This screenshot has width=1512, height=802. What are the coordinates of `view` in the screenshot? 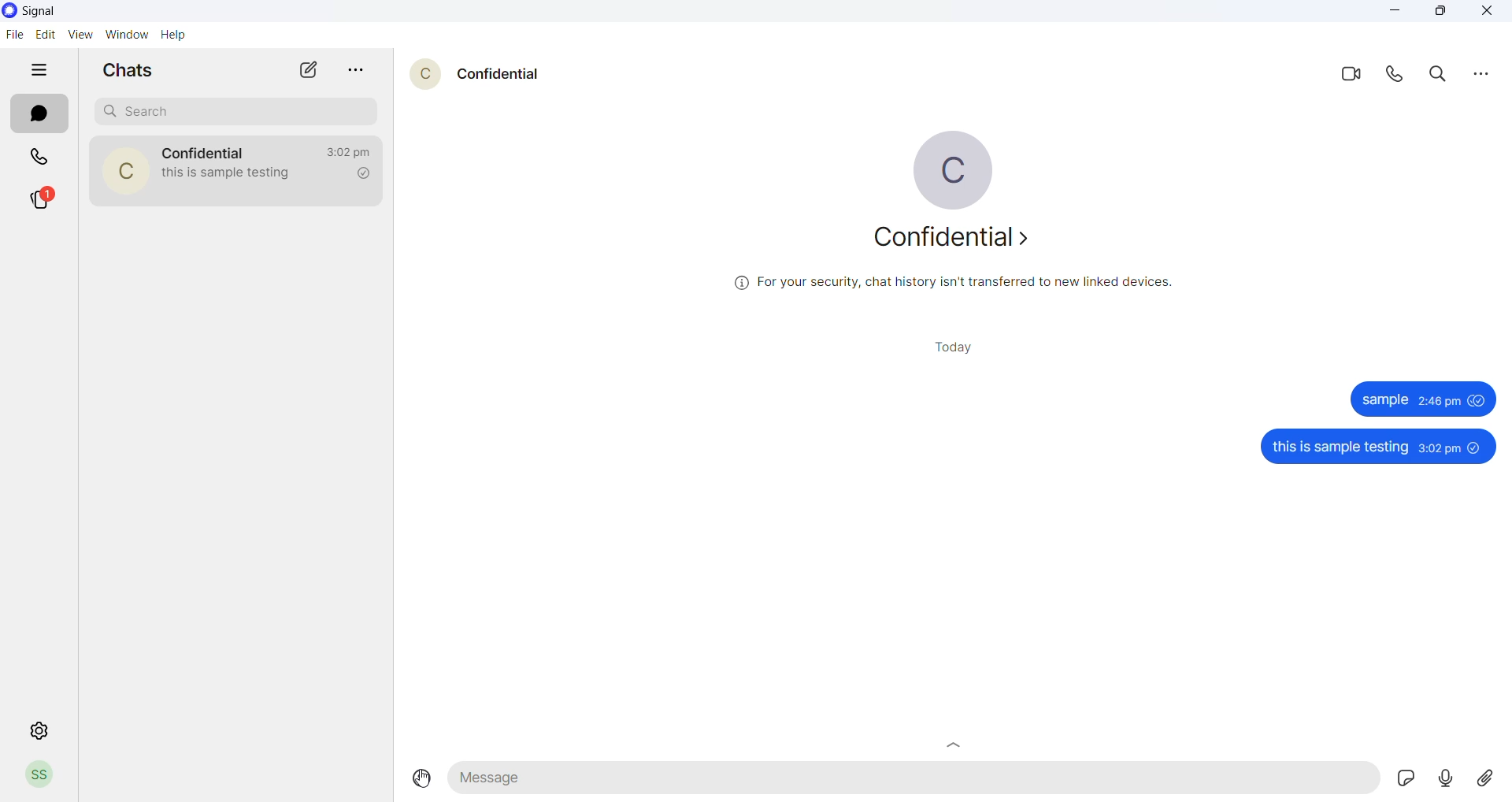 It's located at (84, 34).